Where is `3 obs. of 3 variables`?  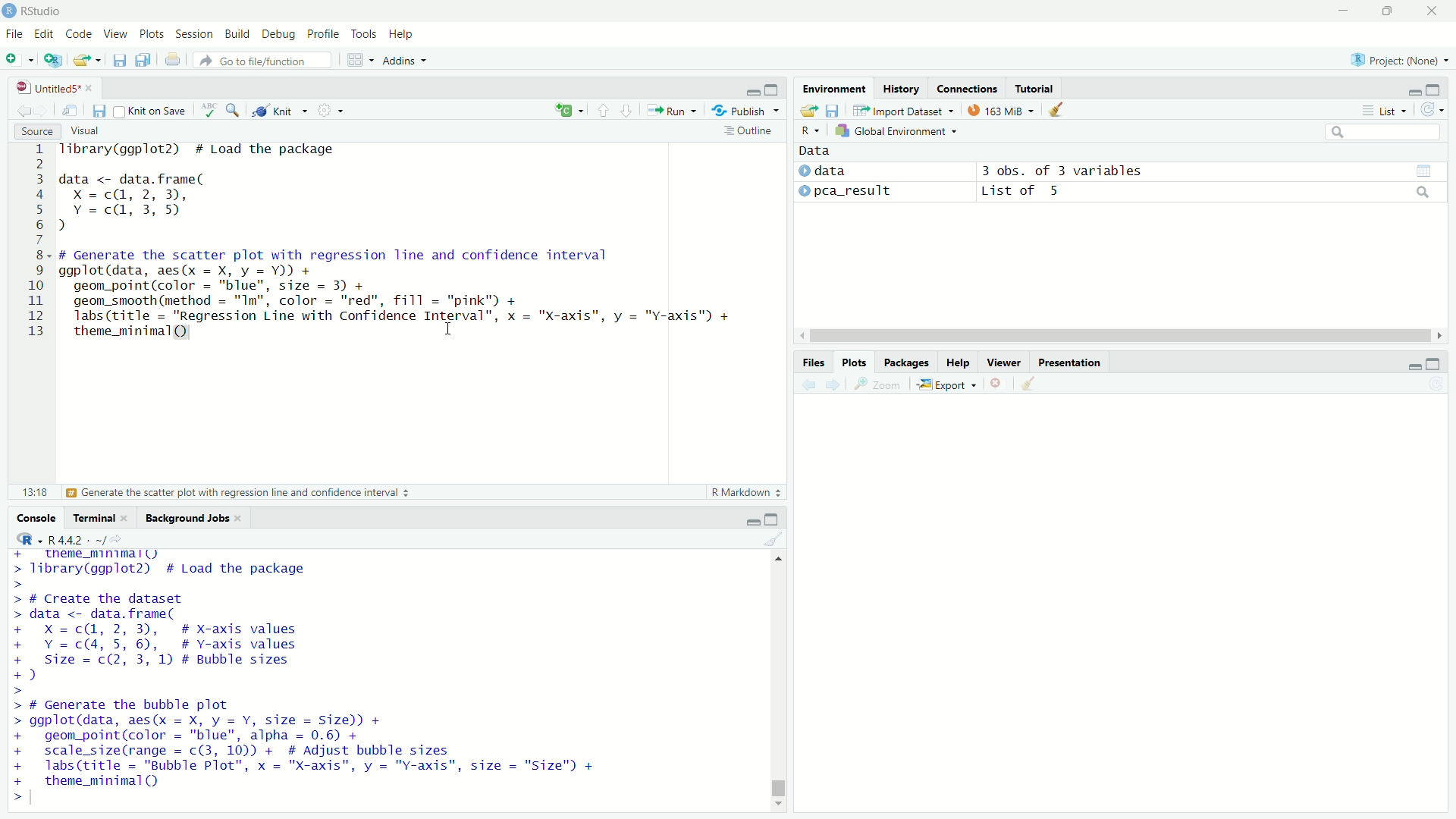 3 obs. of 3 variables is located at coordinates (1062, 171).